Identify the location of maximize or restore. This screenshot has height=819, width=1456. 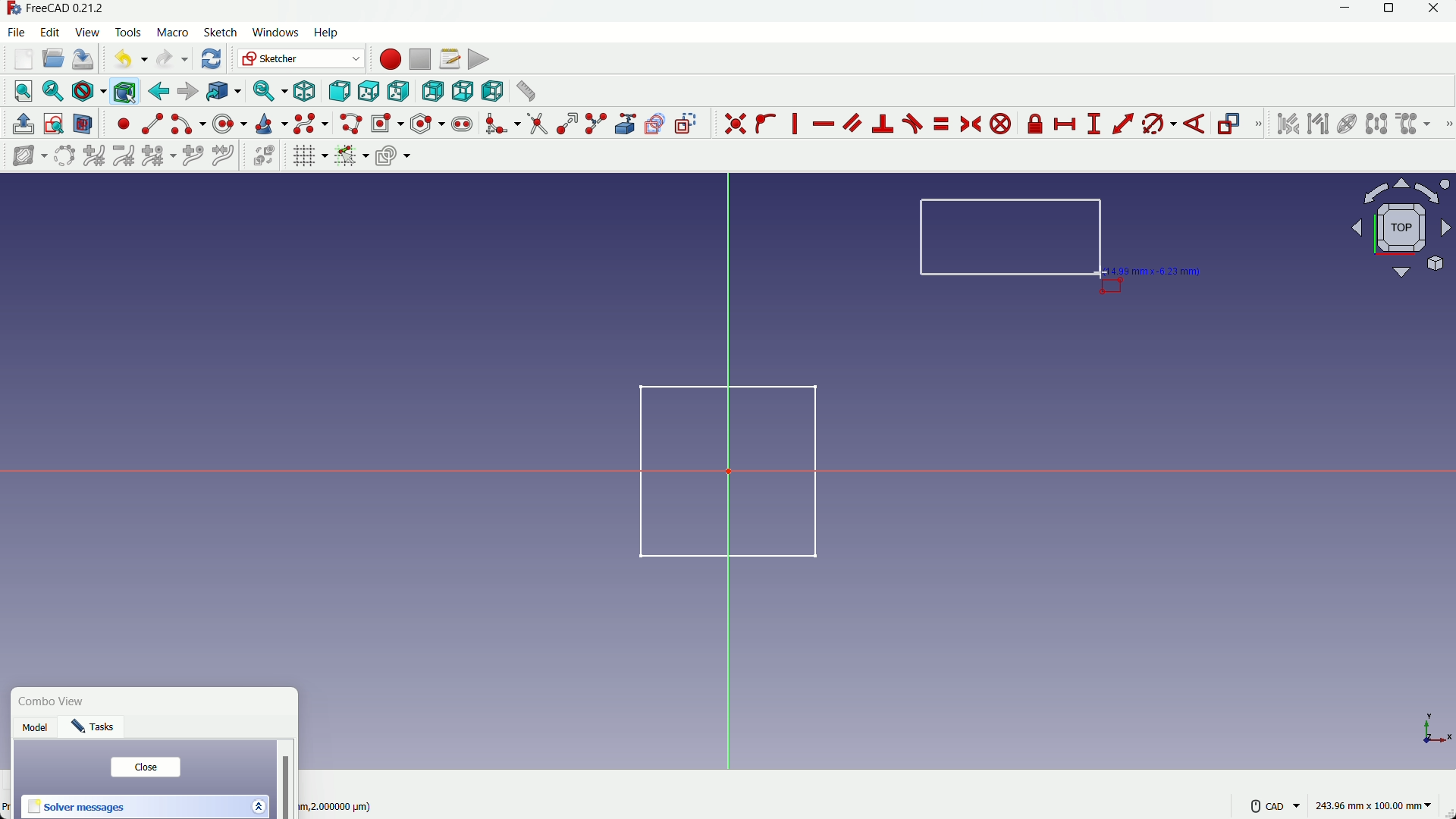
(1391, 11).